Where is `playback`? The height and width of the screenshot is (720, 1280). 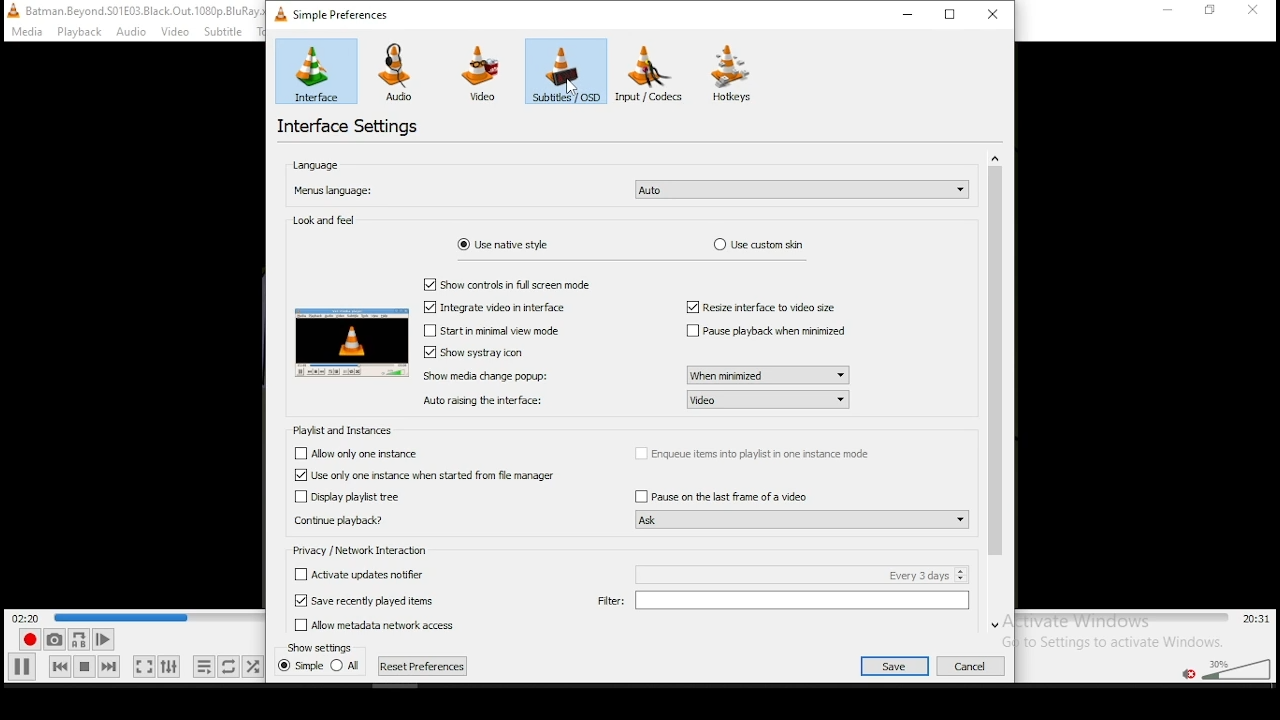 playback is located at coordinates (81, 32).